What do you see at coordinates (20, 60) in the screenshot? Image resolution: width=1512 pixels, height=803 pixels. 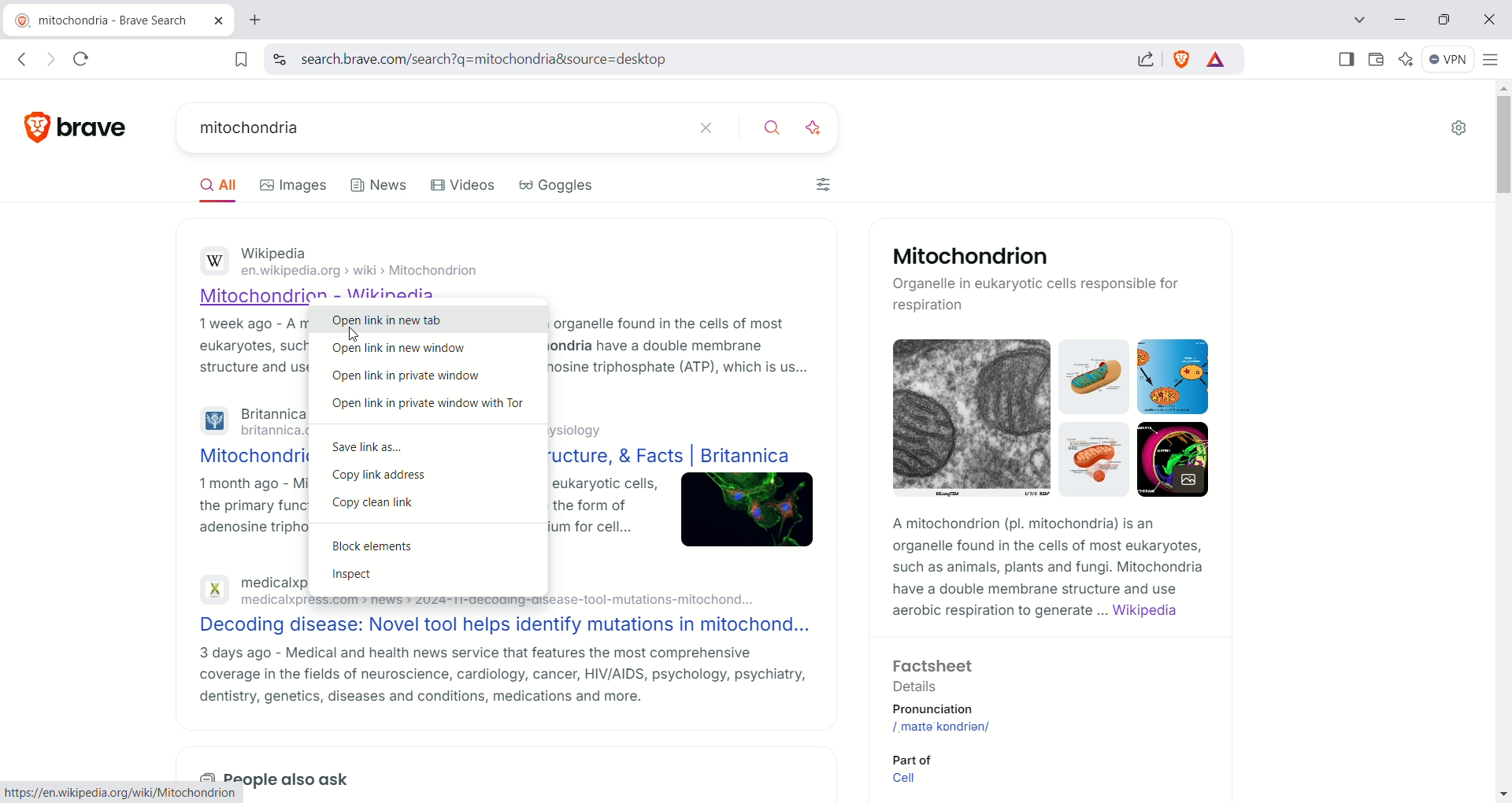 I see `go back` at bounding box center [20, 60].